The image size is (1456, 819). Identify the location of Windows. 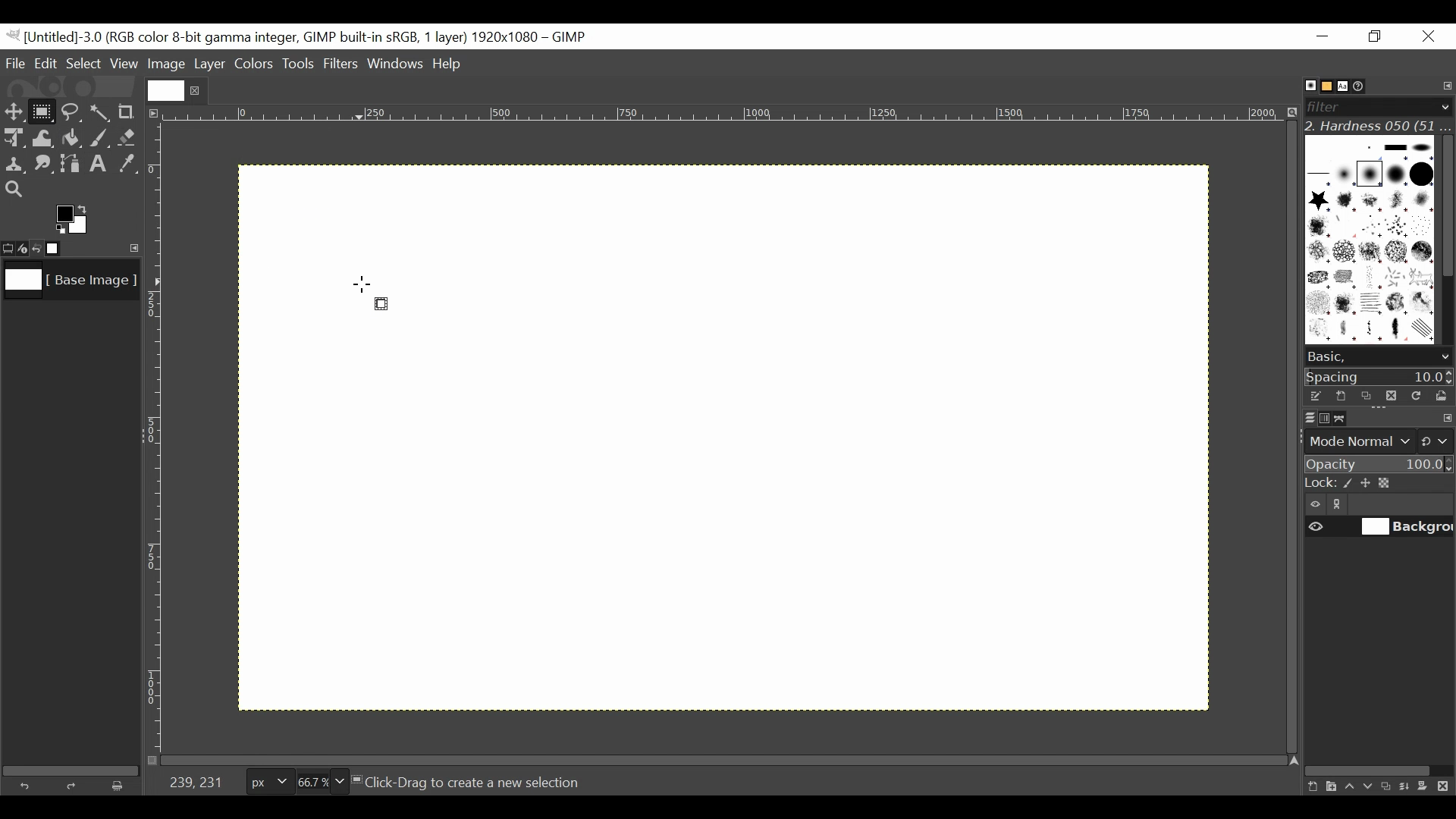
(397, 65).